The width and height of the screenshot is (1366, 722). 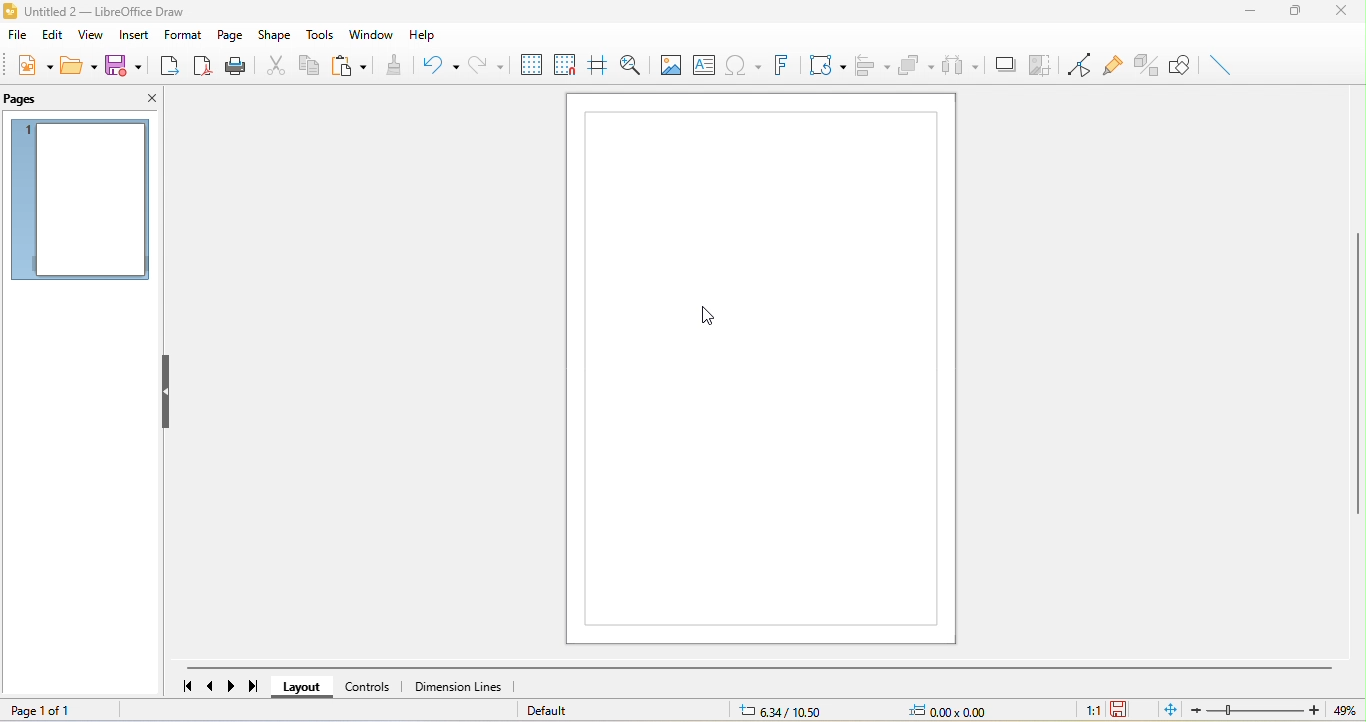 What do you see at coordinates (233, 36) in the screenshot?
I see `page` at bounding box center [233, 36].